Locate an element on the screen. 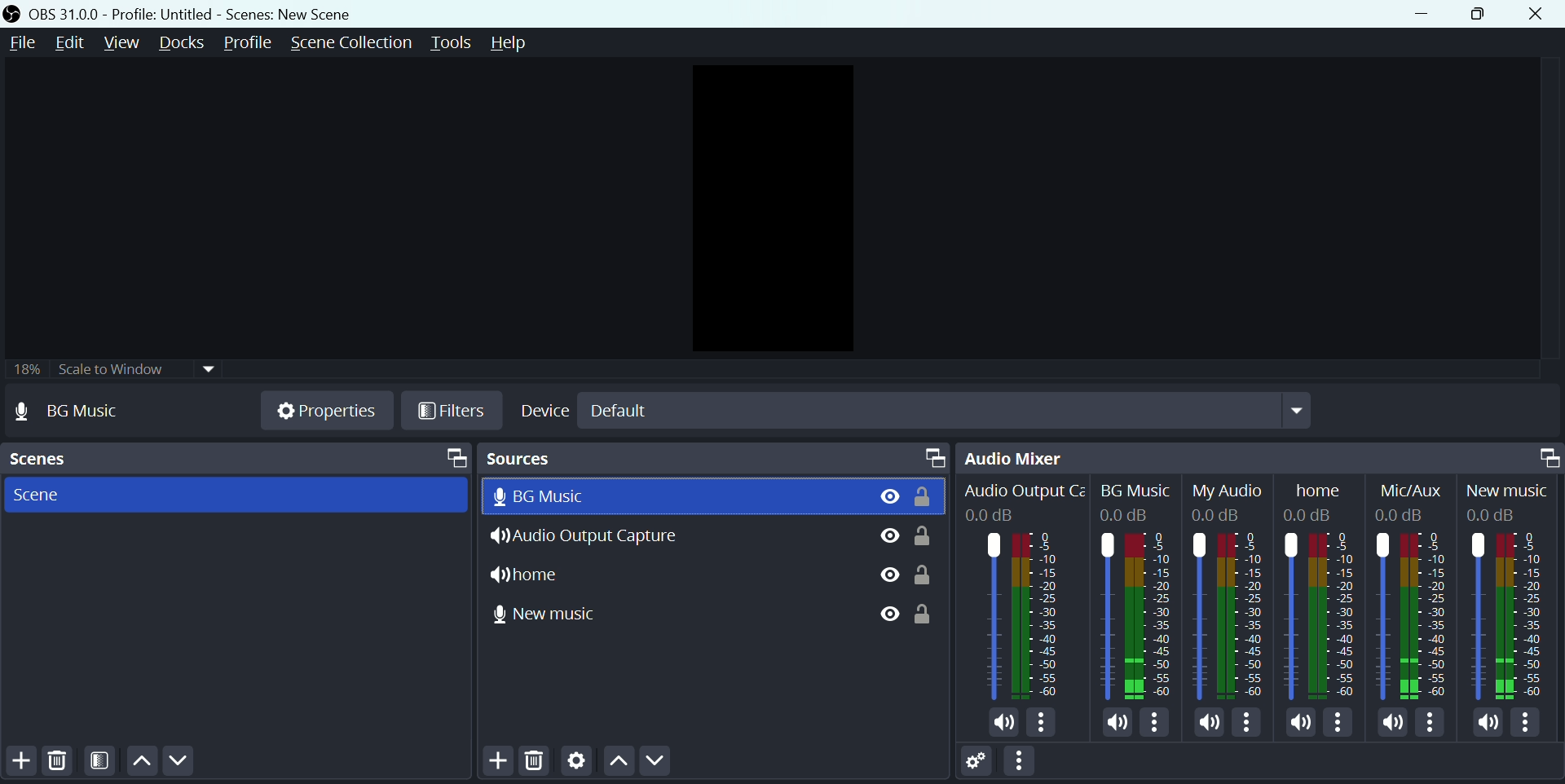  maximize is located at coordinates (933, 455).